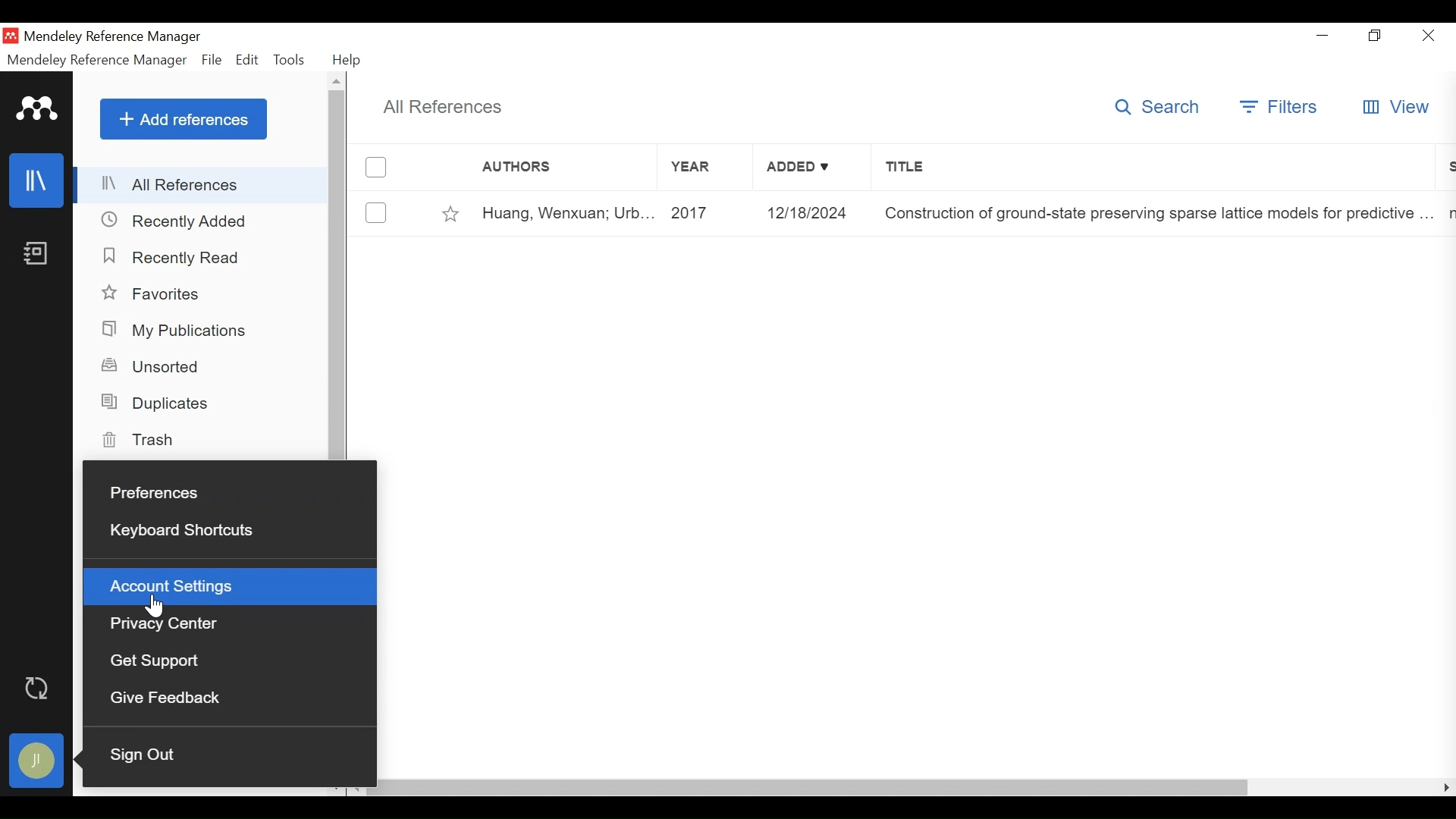  I want to click on Search , so click(1157, 108).